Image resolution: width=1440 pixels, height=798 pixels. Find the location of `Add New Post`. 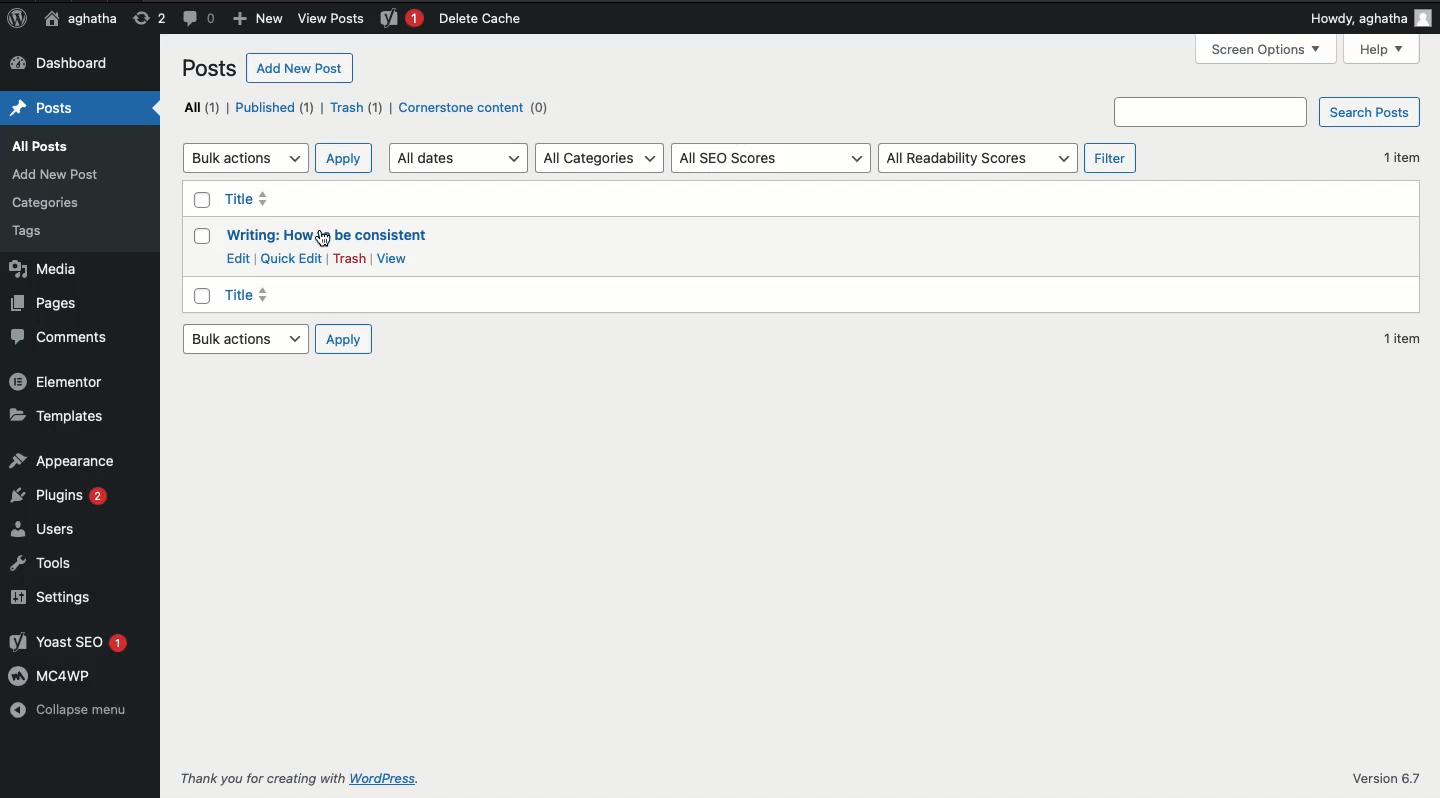

Add New Post is located at coordinates (60, 174).